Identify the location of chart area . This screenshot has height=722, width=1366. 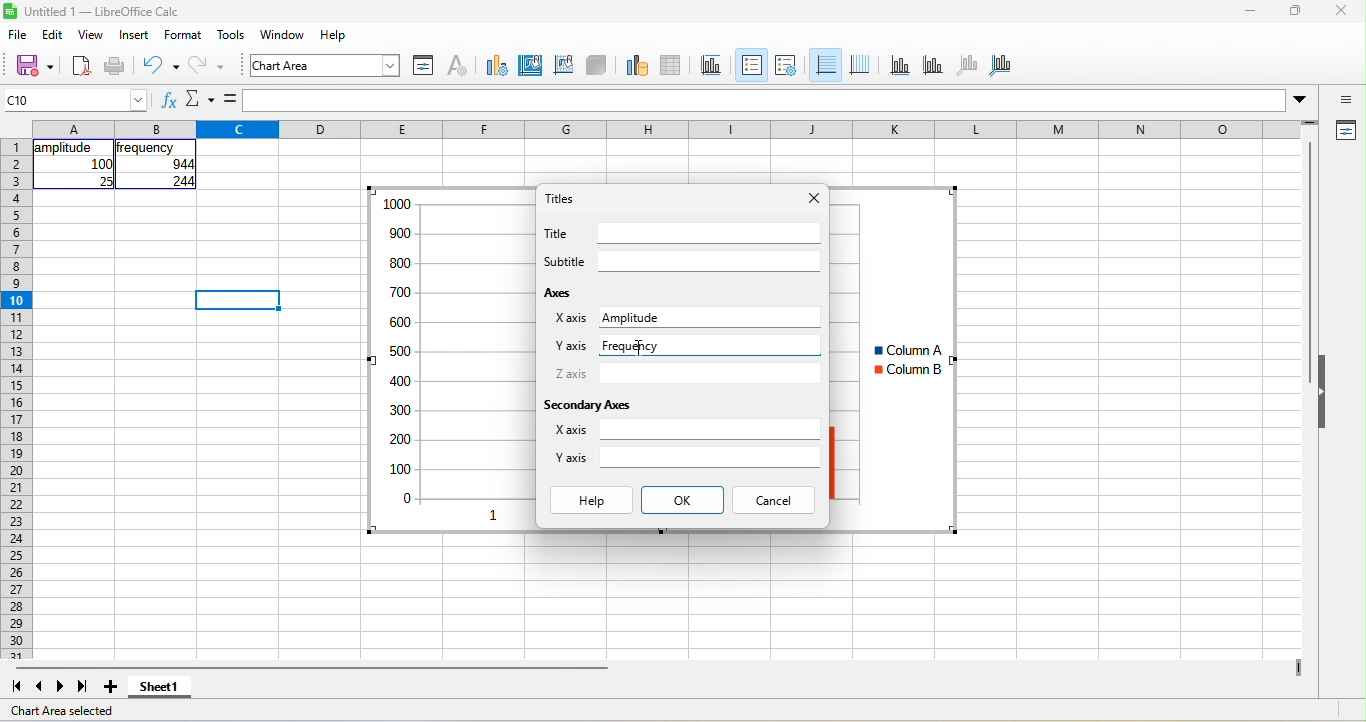
(531, 66).